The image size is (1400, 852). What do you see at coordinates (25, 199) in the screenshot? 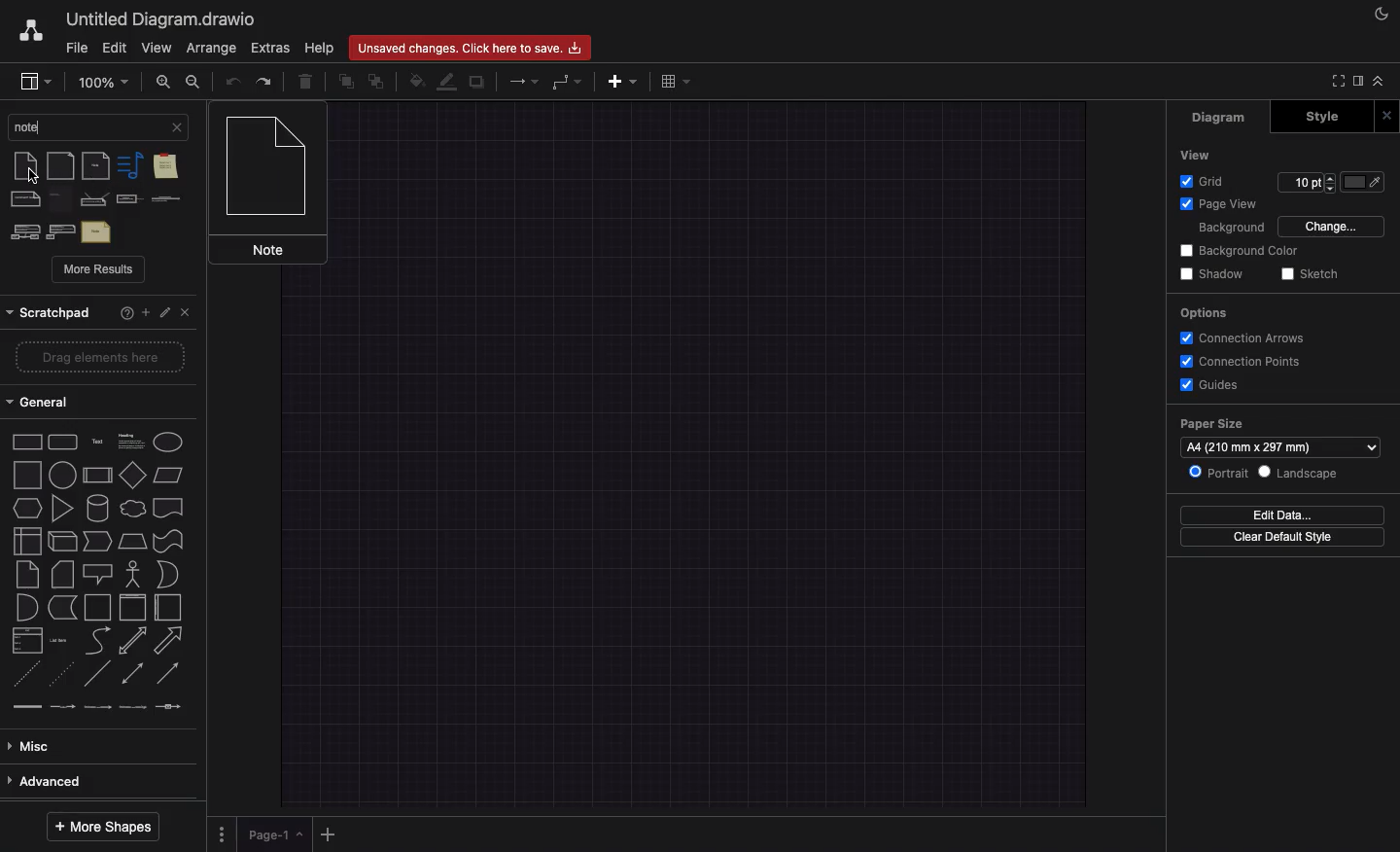
I see `comment ` at bounding box center [25, 199].